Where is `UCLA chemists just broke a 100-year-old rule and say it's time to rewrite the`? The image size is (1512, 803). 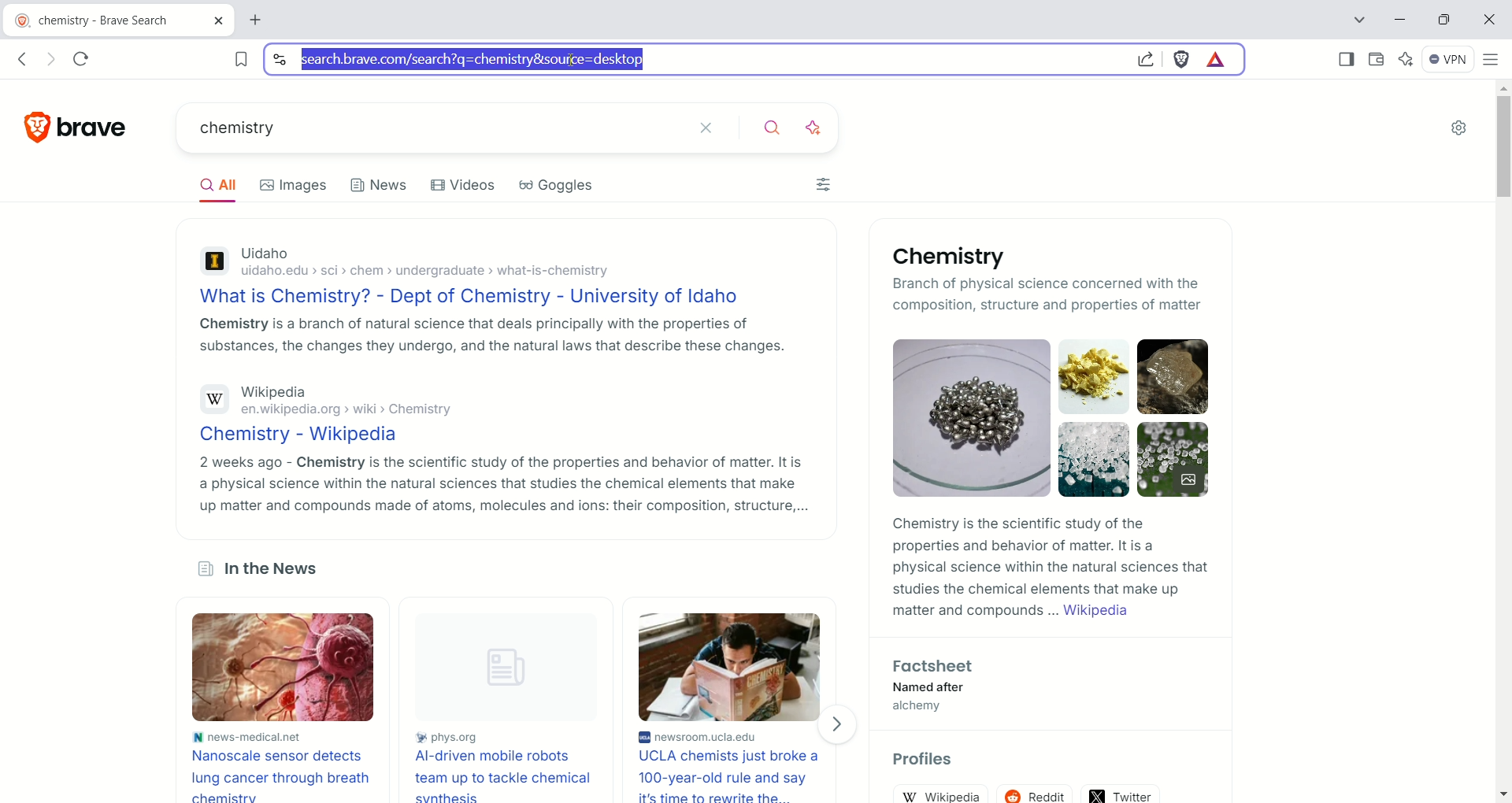 UCLA chemists just broke a 100-year-old rule and say it's time to rewrite the is located at coordinates (734, 775).